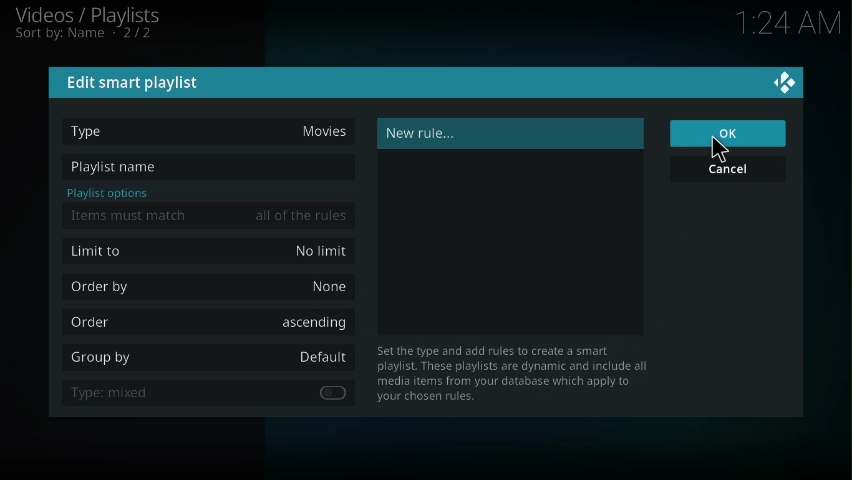 The image size is (852, 480). Describe the element at coordinates (719, 149) in the screenshot. I see `cursor` at that location.